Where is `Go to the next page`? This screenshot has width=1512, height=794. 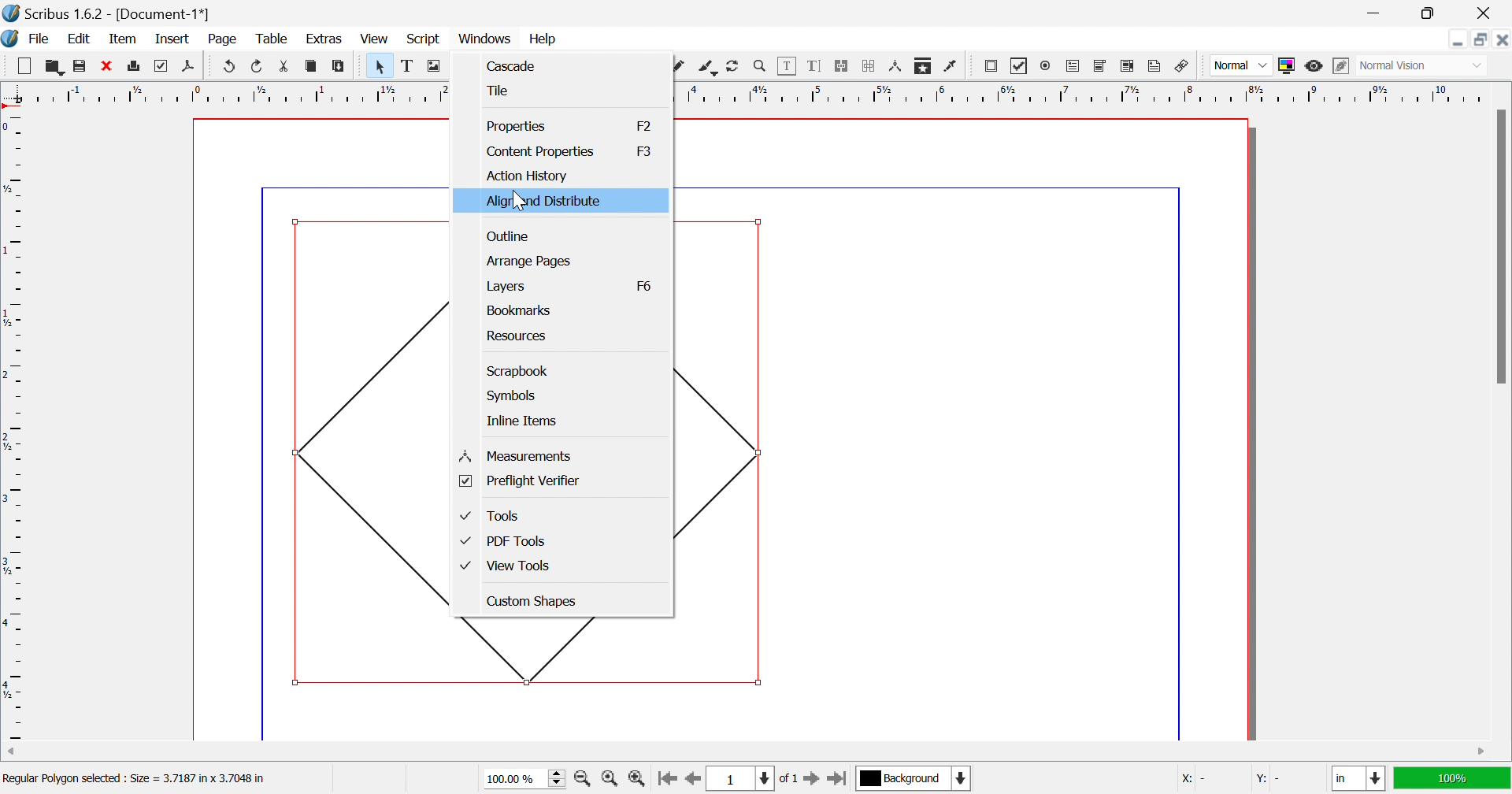
Go to the next page is located at coordinates (813, 782).